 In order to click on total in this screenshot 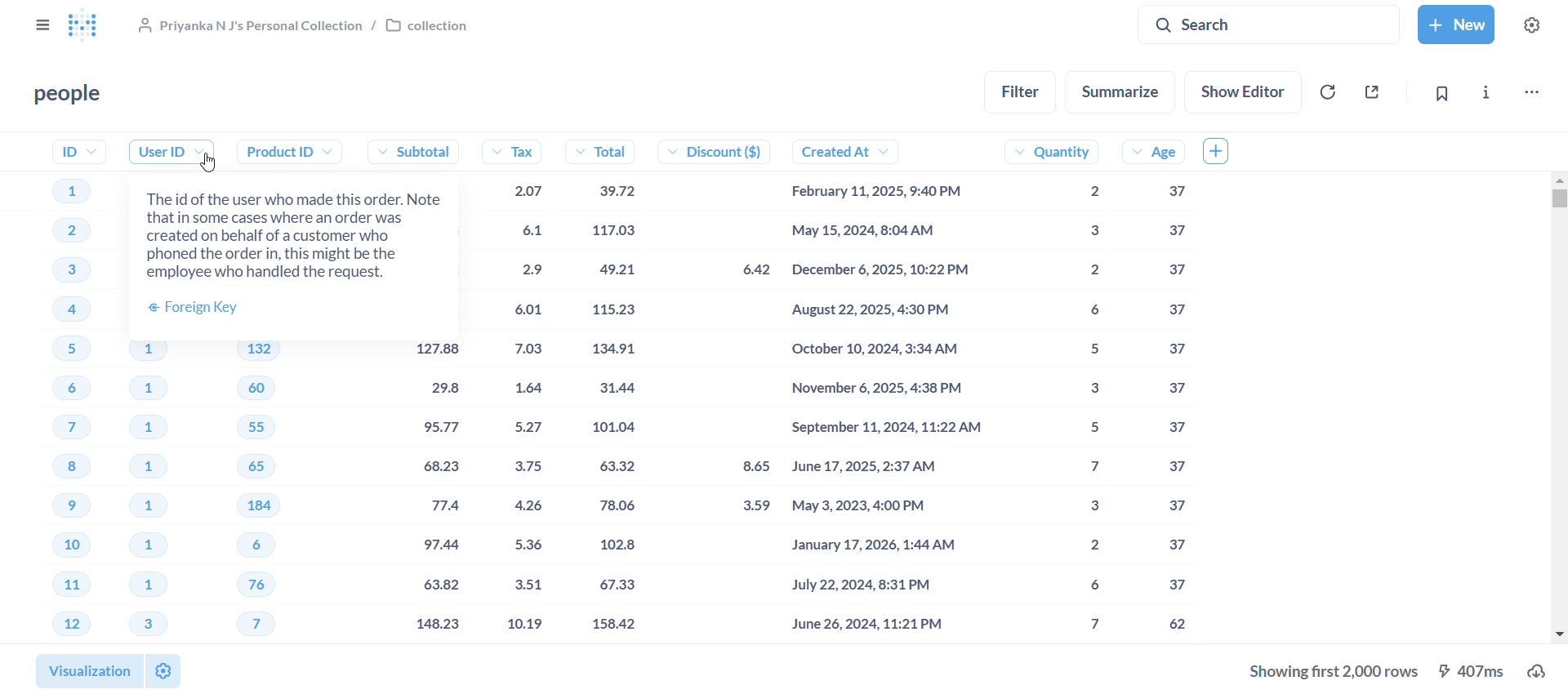, I will do `click(615, 389)`.